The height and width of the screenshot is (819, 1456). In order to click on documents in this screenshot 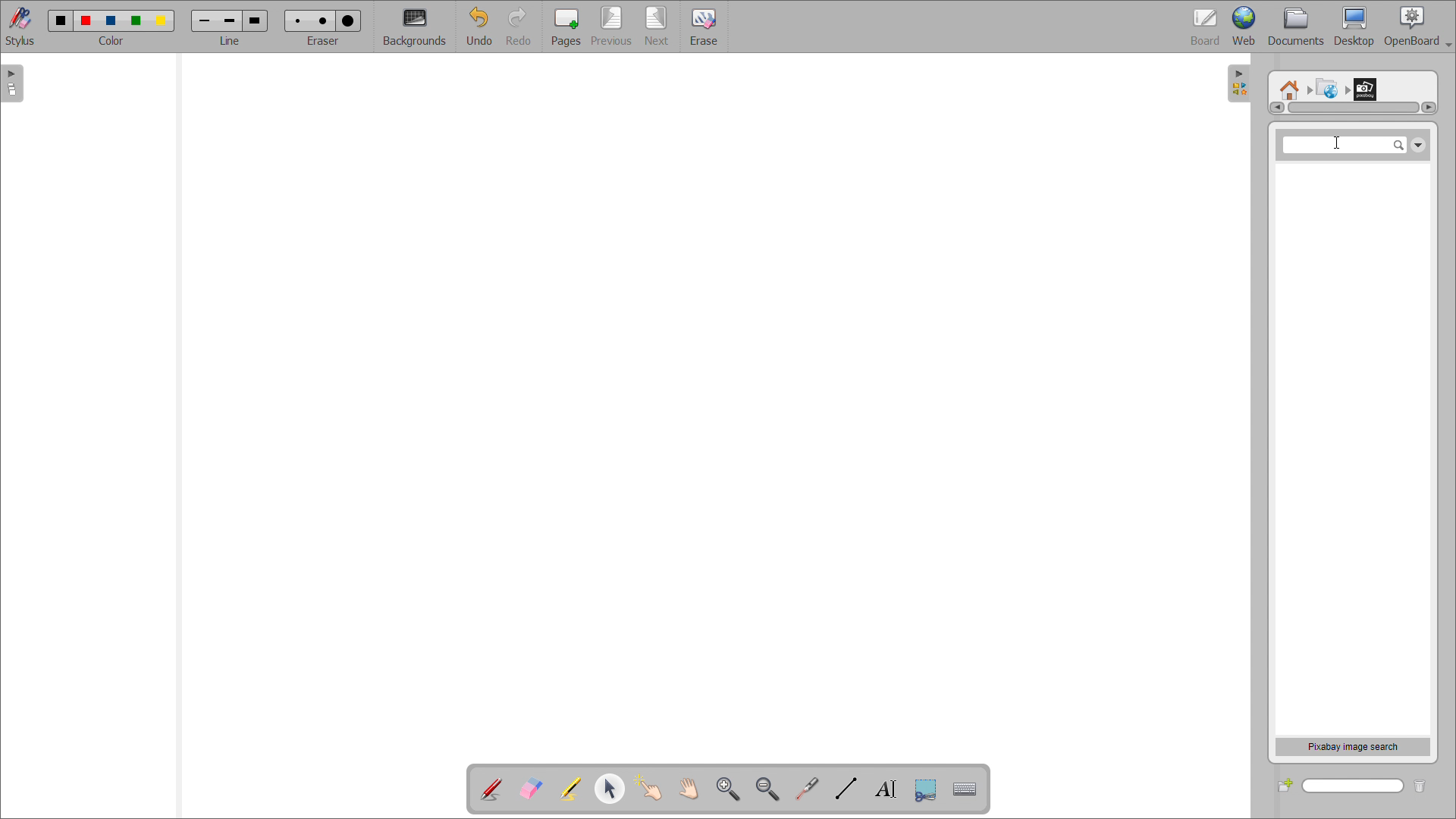, I will do `click(1297, 27)`.